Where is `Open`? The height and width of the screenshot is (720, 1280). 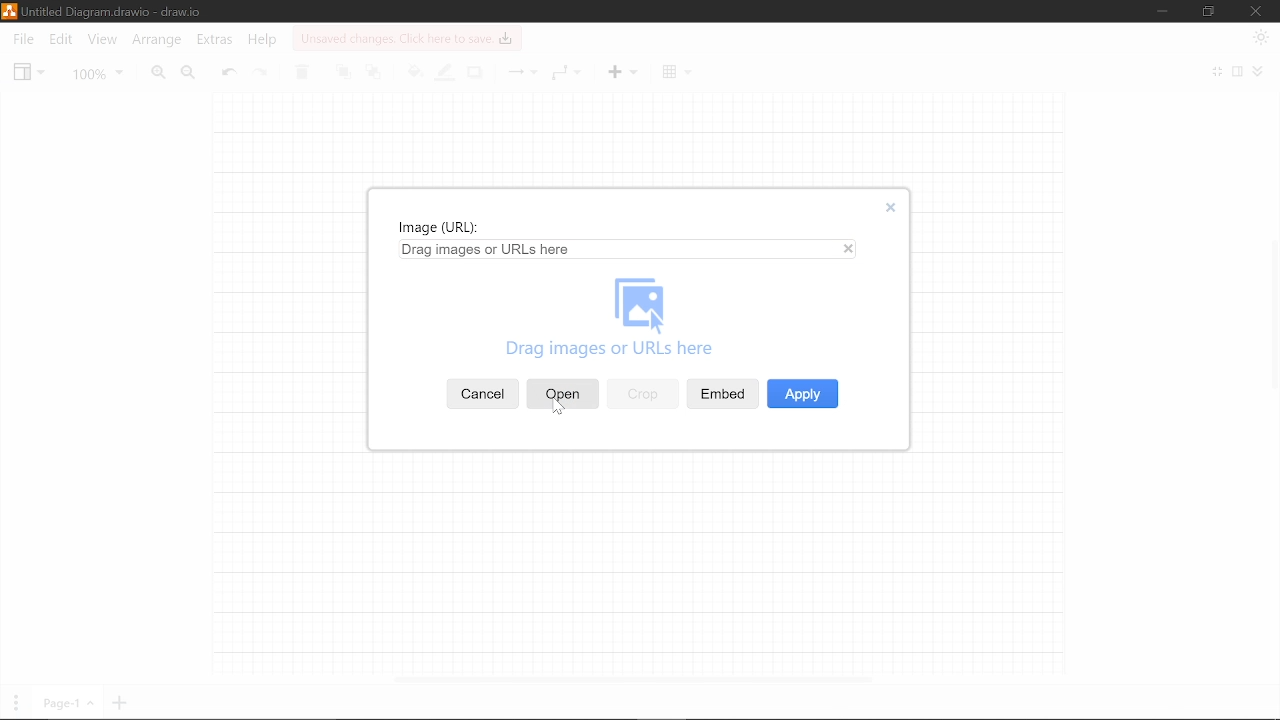
Open is located at coordinates (562, 393).